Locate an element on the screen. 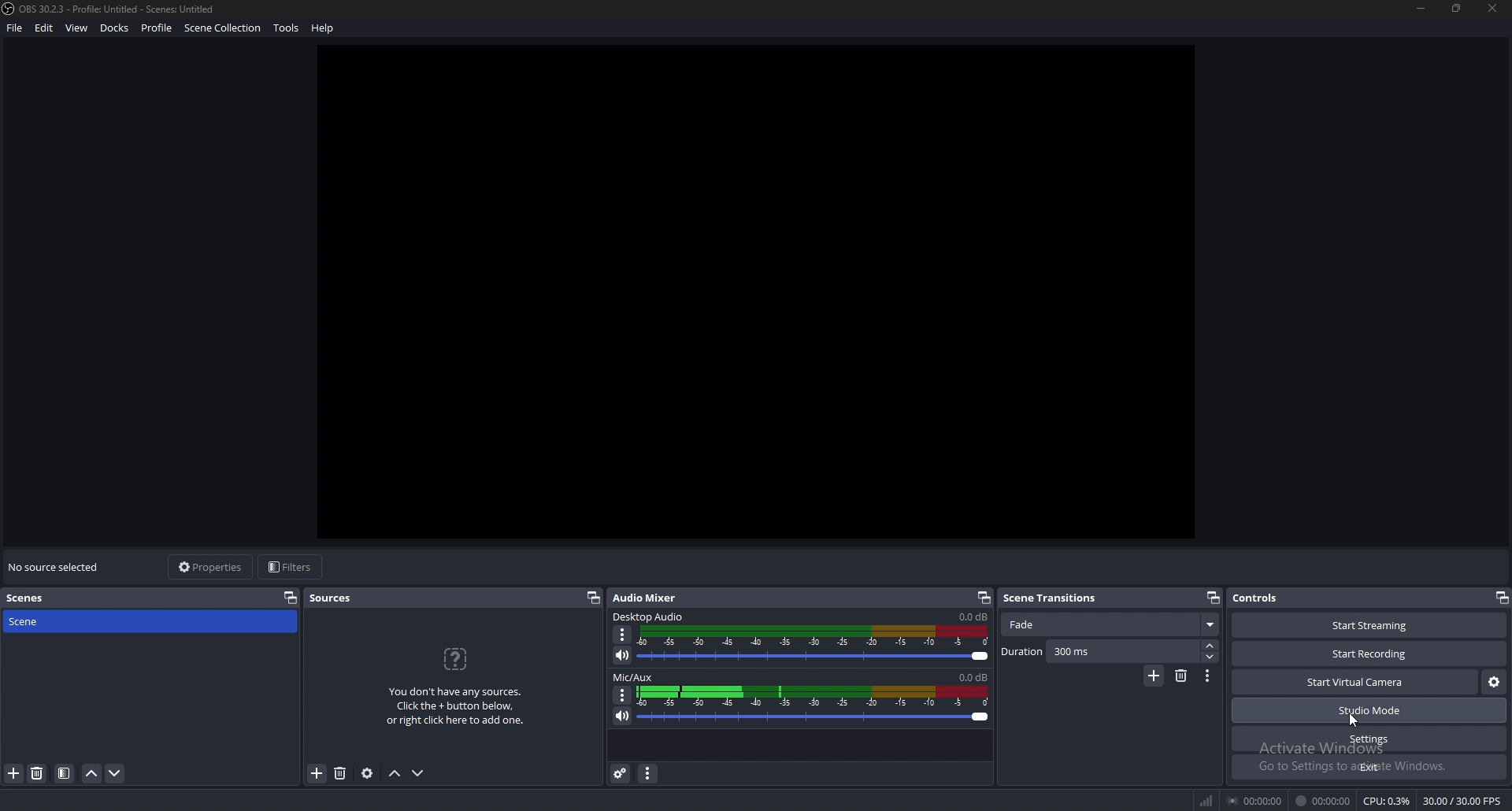 Image resolution: width=1512 pixels, height=811 pixels. obs studio is located at coordinates (9, 9).